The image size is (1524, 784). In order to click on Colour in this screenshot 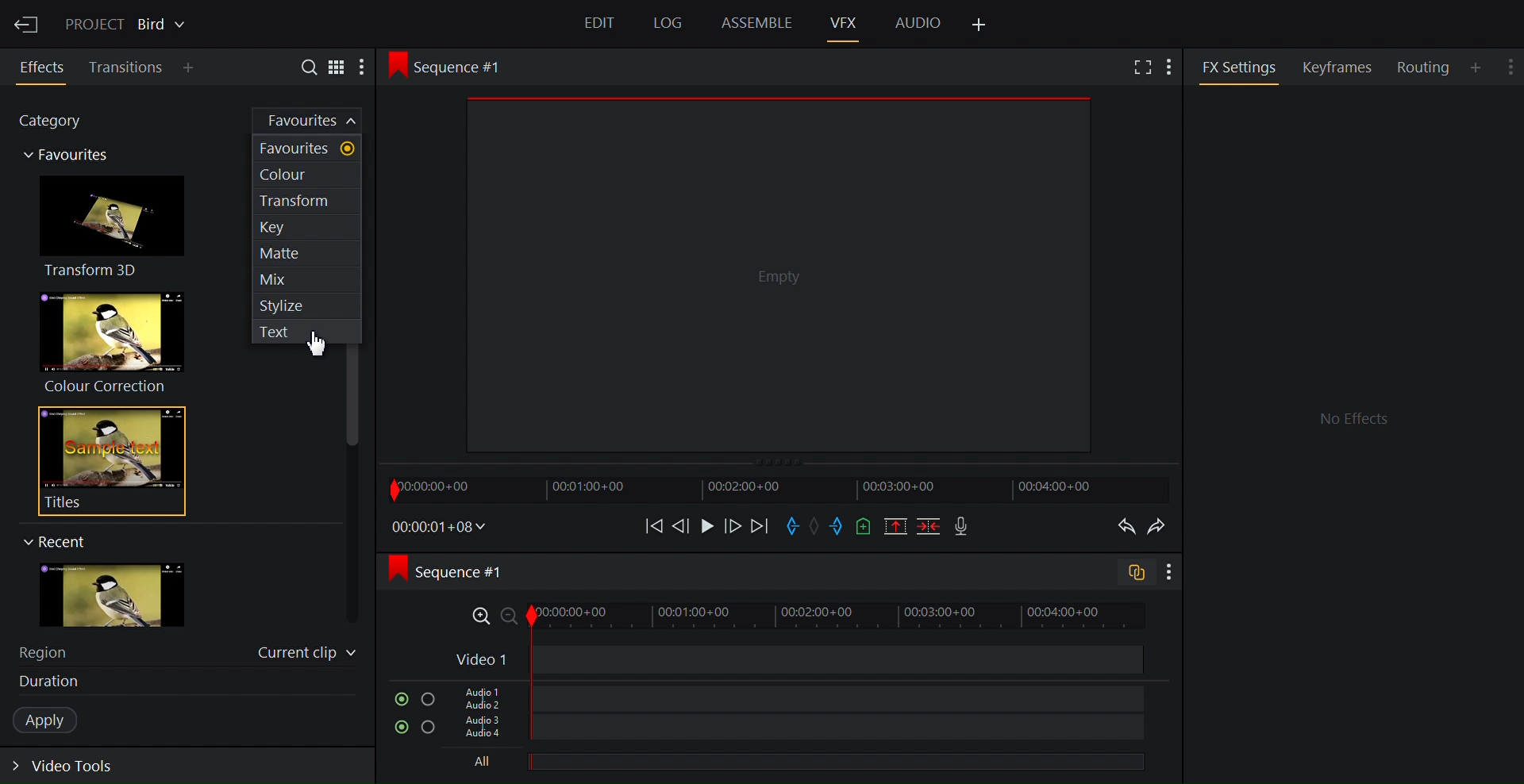, I will do `click(304, 174)`.